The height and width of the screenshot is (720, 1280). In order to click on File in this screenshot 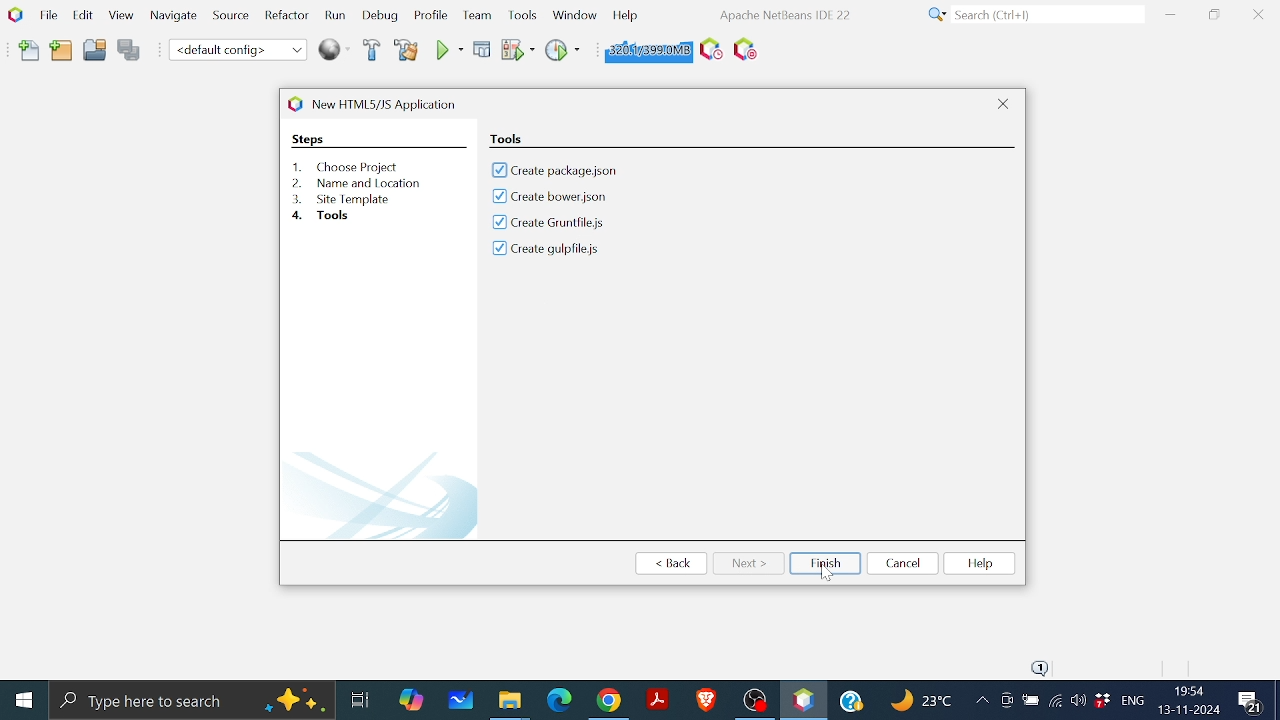, I will do `click(46, 15)`.